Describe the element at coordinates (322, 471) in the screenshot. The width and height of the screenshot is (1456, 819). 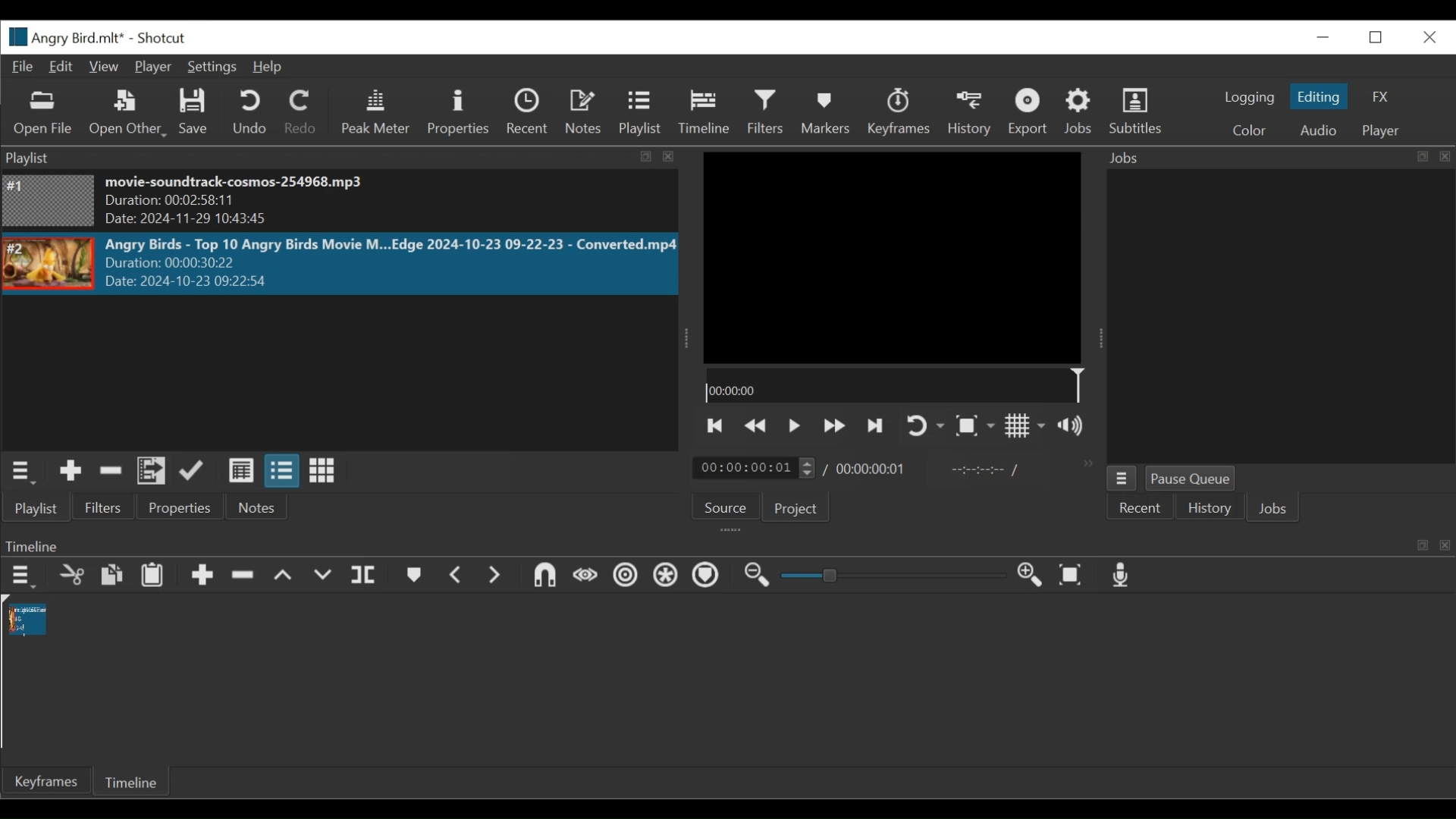
I see `View as icons` at that location.